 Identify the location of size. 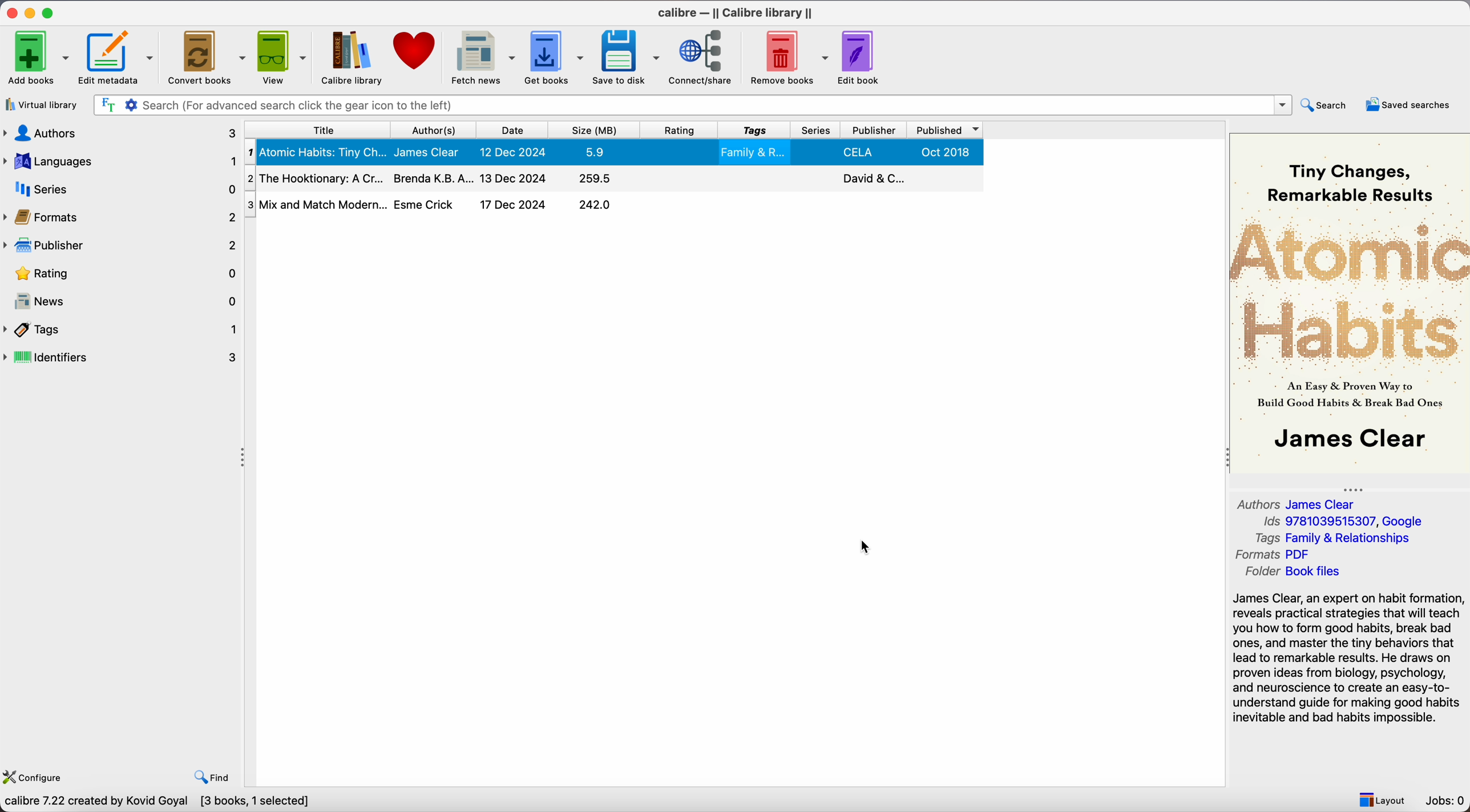
(596, 130).